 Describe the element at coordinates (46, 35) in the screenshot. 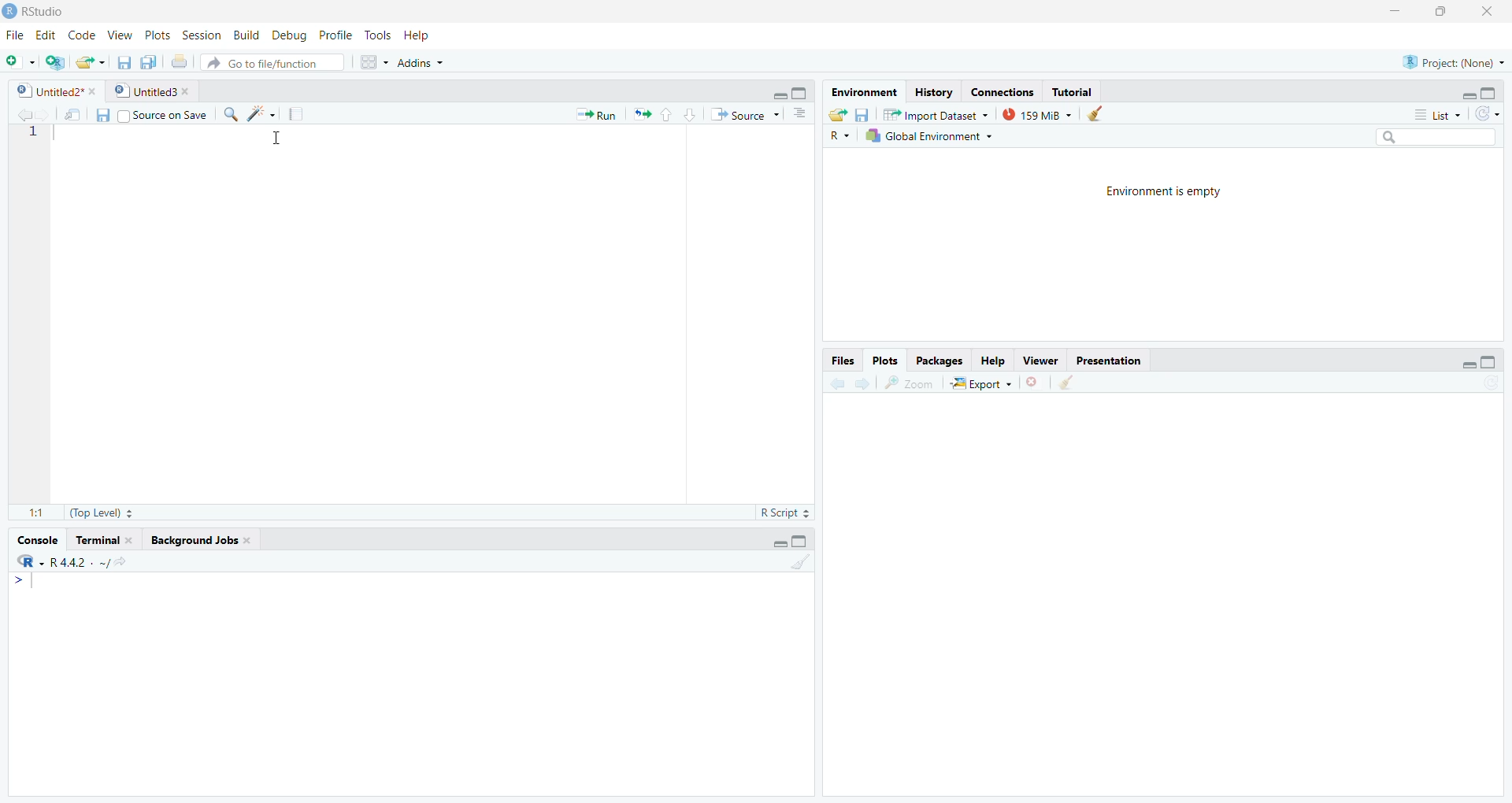

I see `Edit` at that location.